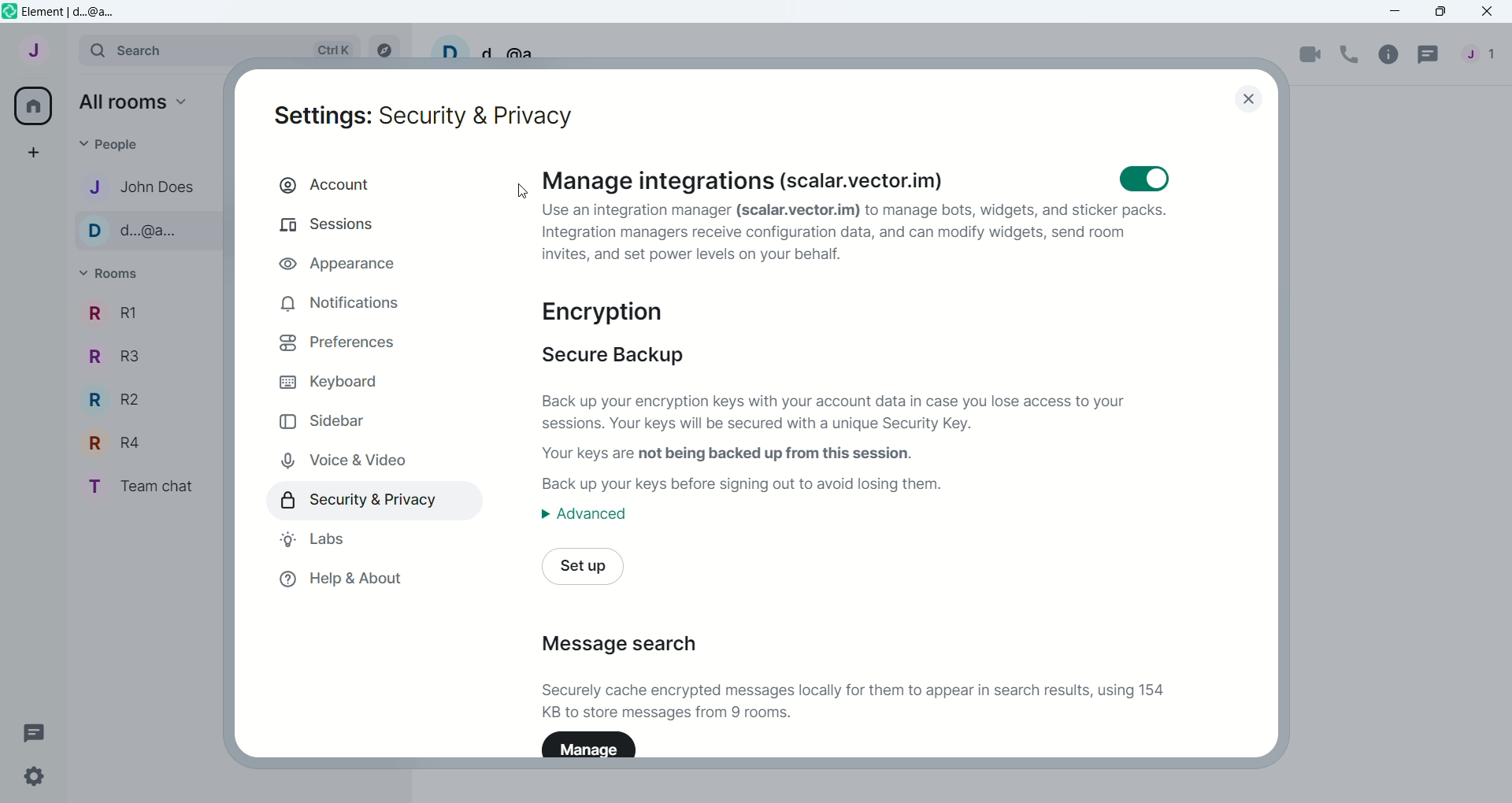  Describe the element at coordinates (140, 105) in the screenshot. I see `all rooms` at that location.